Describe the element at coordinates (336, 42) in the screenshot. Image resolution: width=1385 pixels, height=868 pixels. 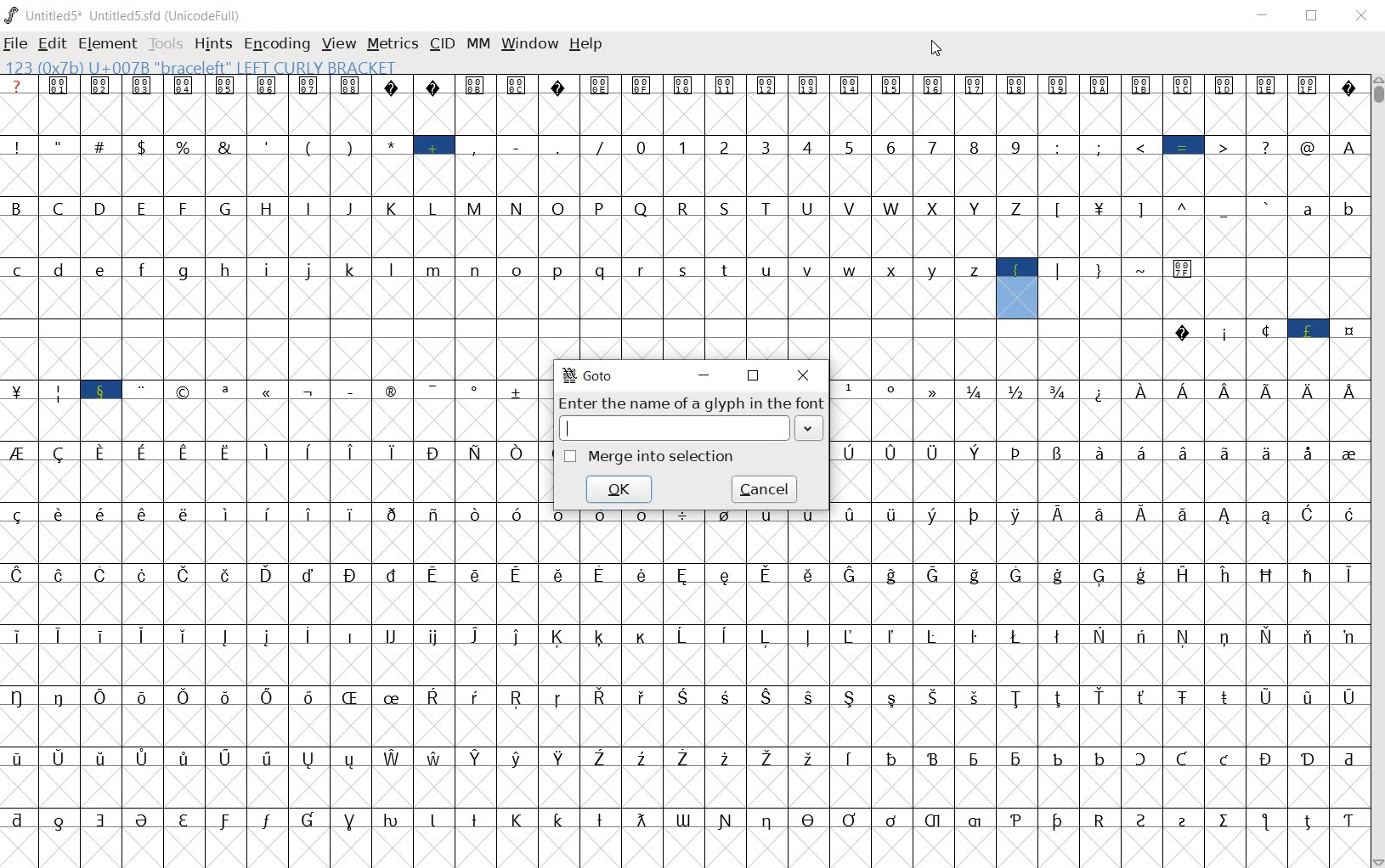
I see `VIEW` at that location.